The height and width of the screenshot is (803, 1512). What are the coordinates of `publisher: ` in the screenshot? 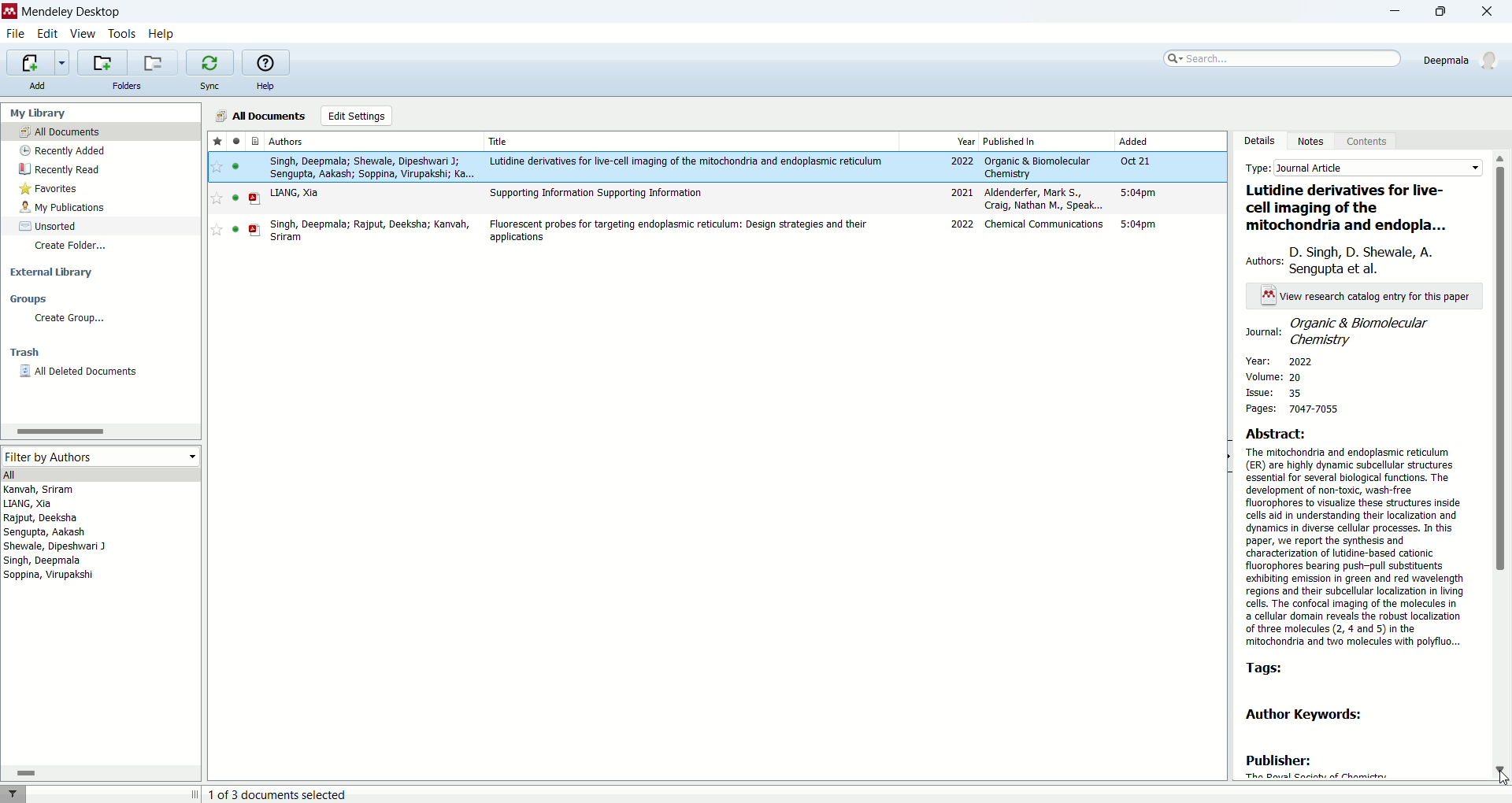 It's located at (1279, 761).